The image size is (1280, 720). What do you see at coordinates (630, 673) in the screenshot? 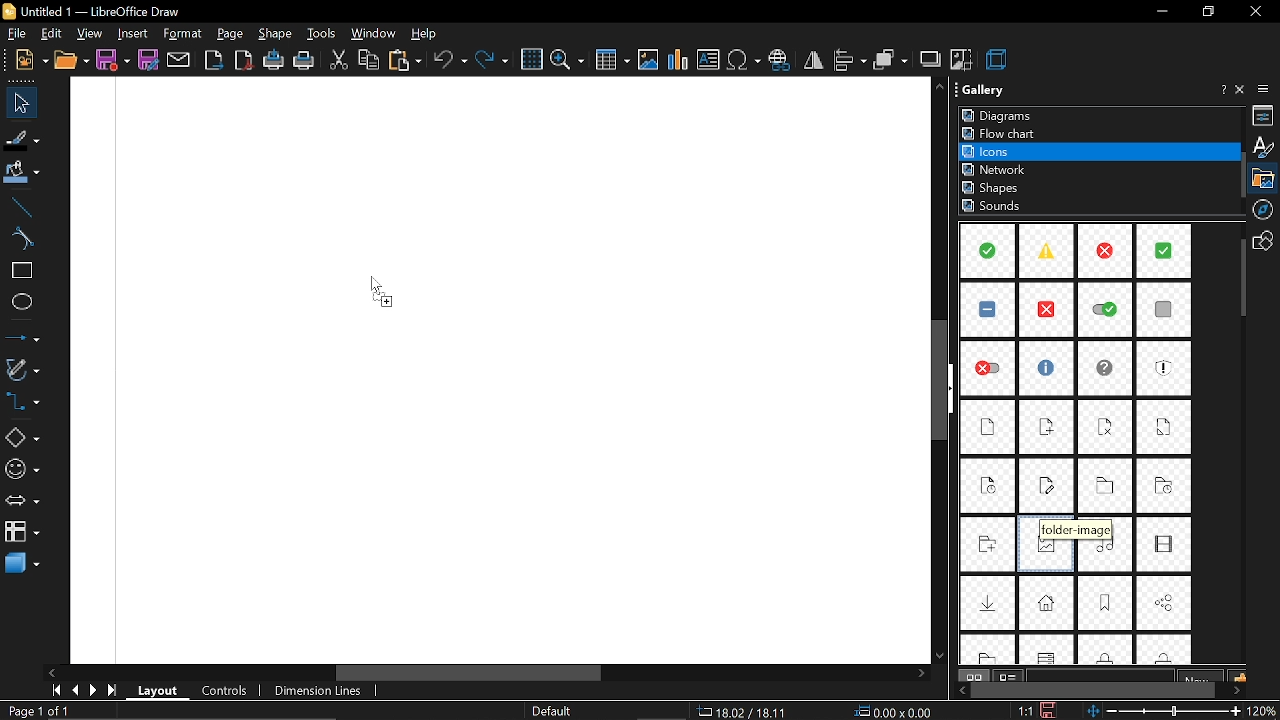
I see `horizontal scrollbar` at bounding box center [630, 673].